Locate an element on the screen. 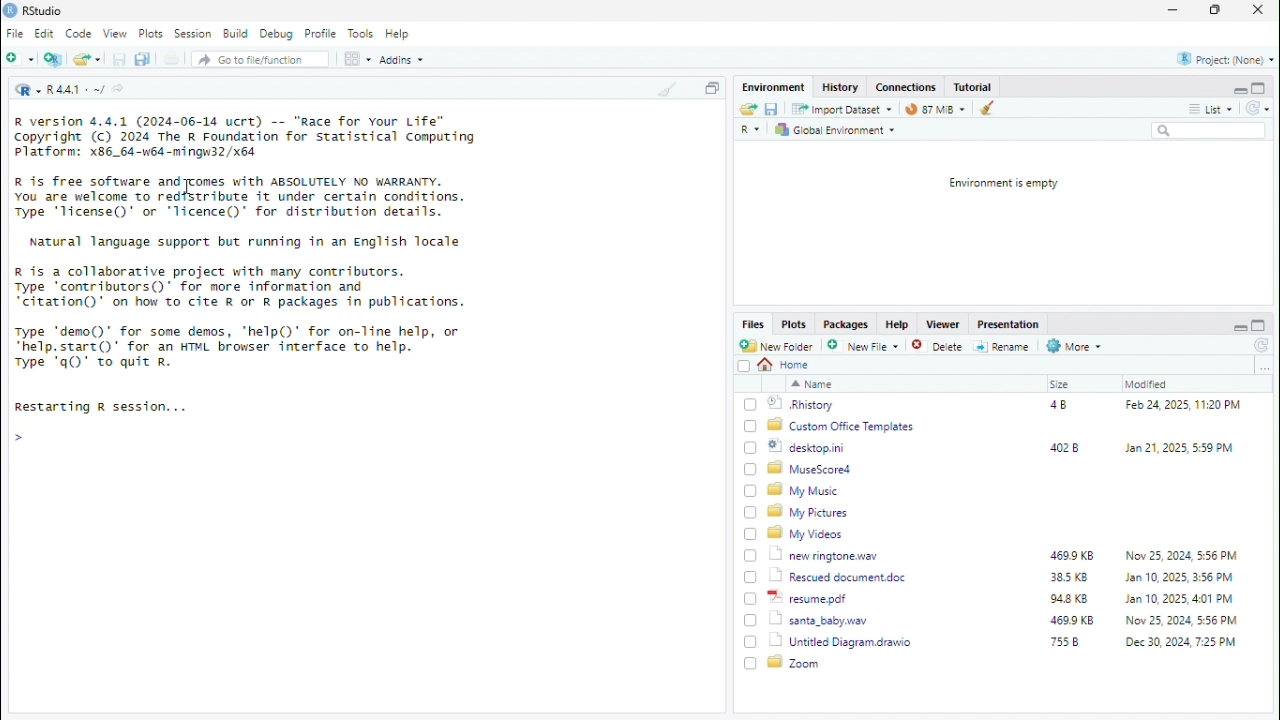  file is located at coordinates (171, 58).